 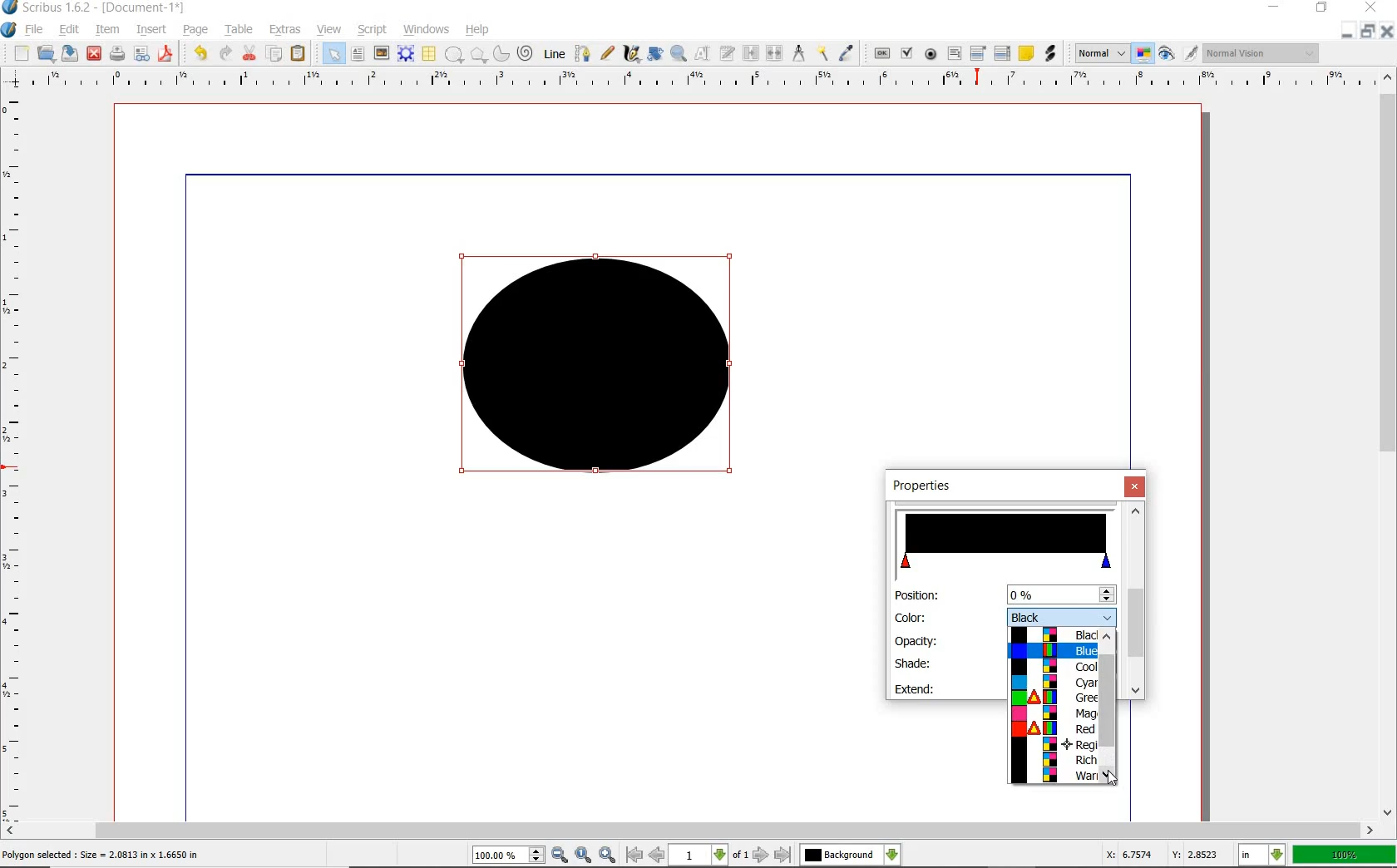 I want to click on color, so click(x=1062, y=615).